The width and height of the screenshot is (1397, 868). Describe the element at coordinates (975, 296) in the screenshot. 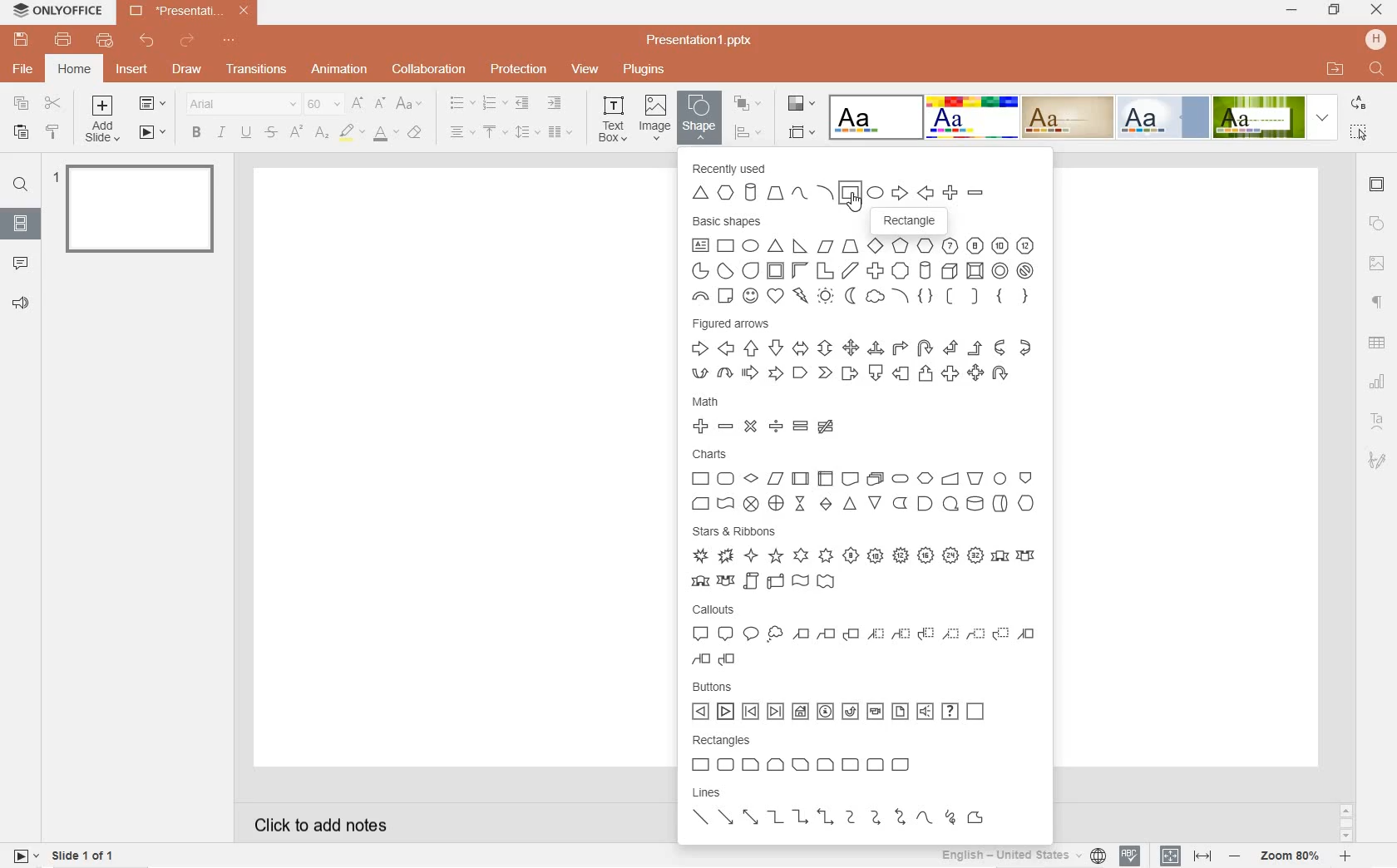

I see `Right Bracket` at that location.